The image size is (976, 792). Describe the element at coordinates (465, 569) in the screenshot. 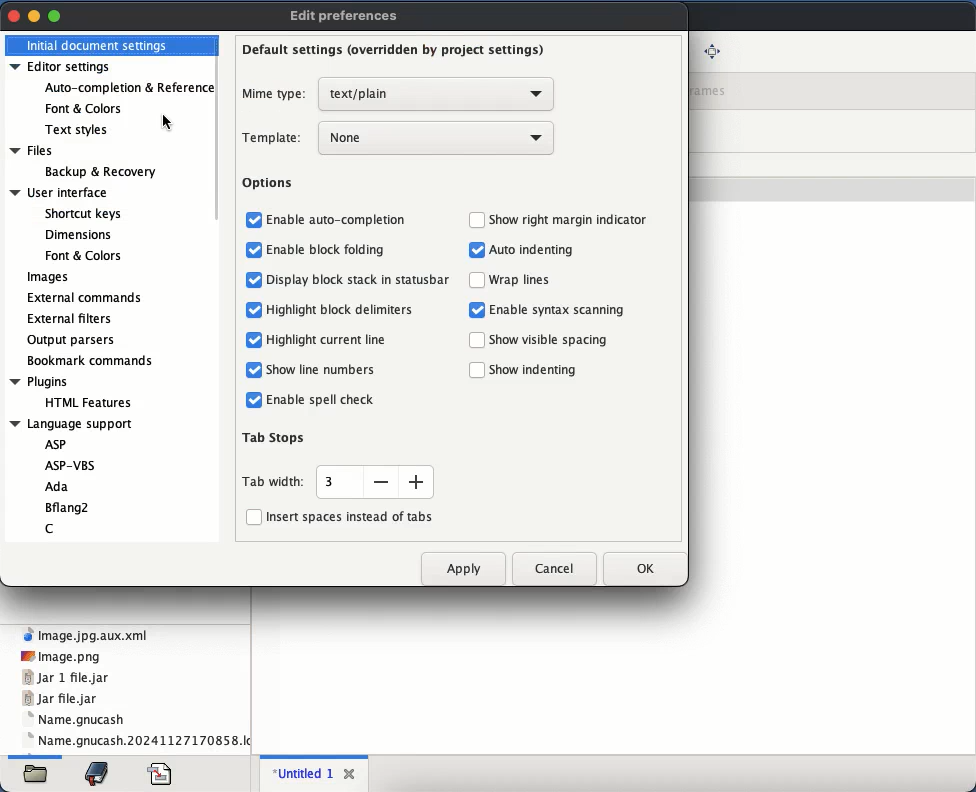

I see `apply` at that location.